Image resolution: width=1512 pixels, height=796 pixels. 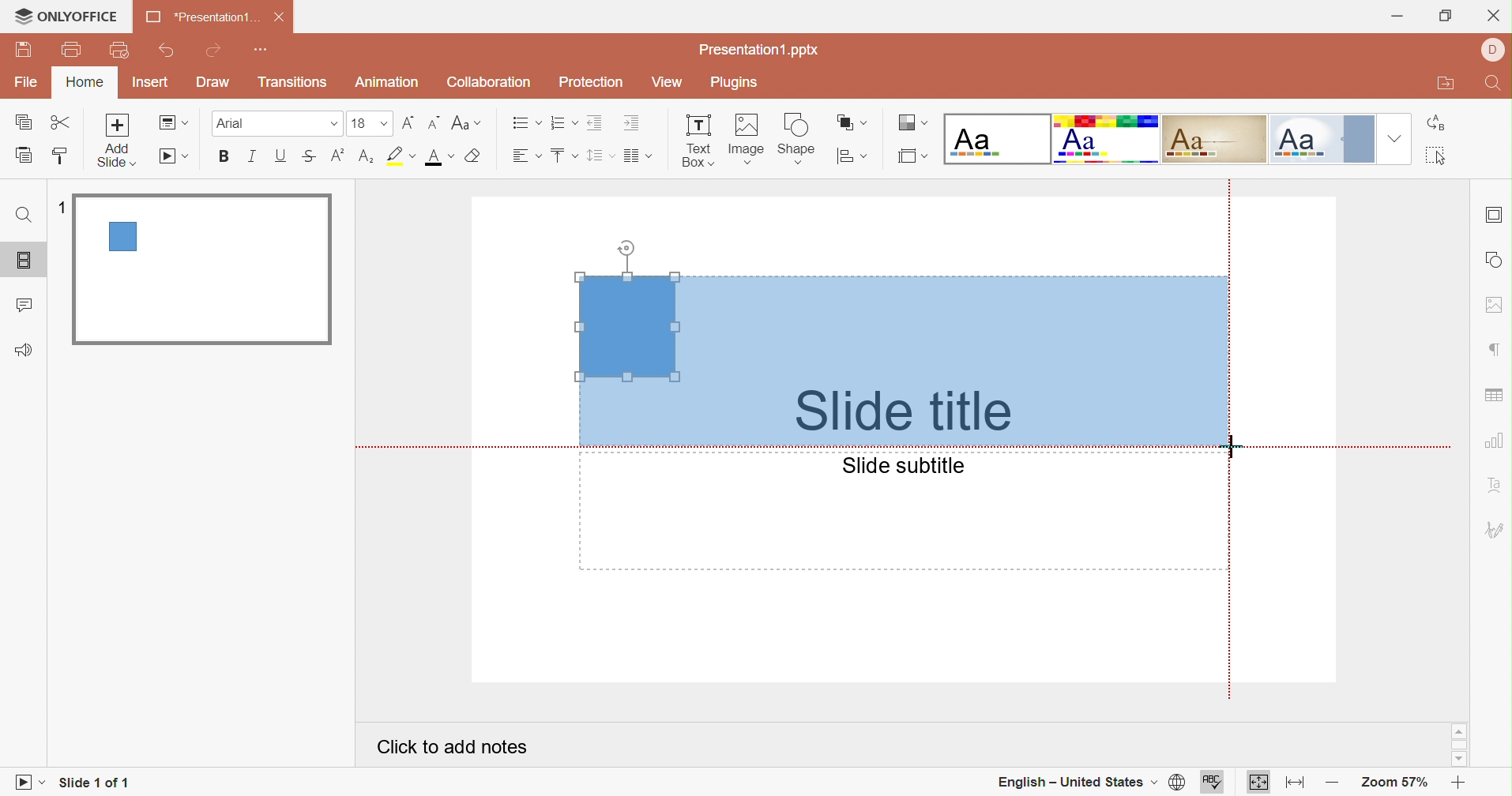 What do you see at coordinates (1176, 783) in the screenshot?
I see `Set document langauge` at bounding box center [1176, 783].